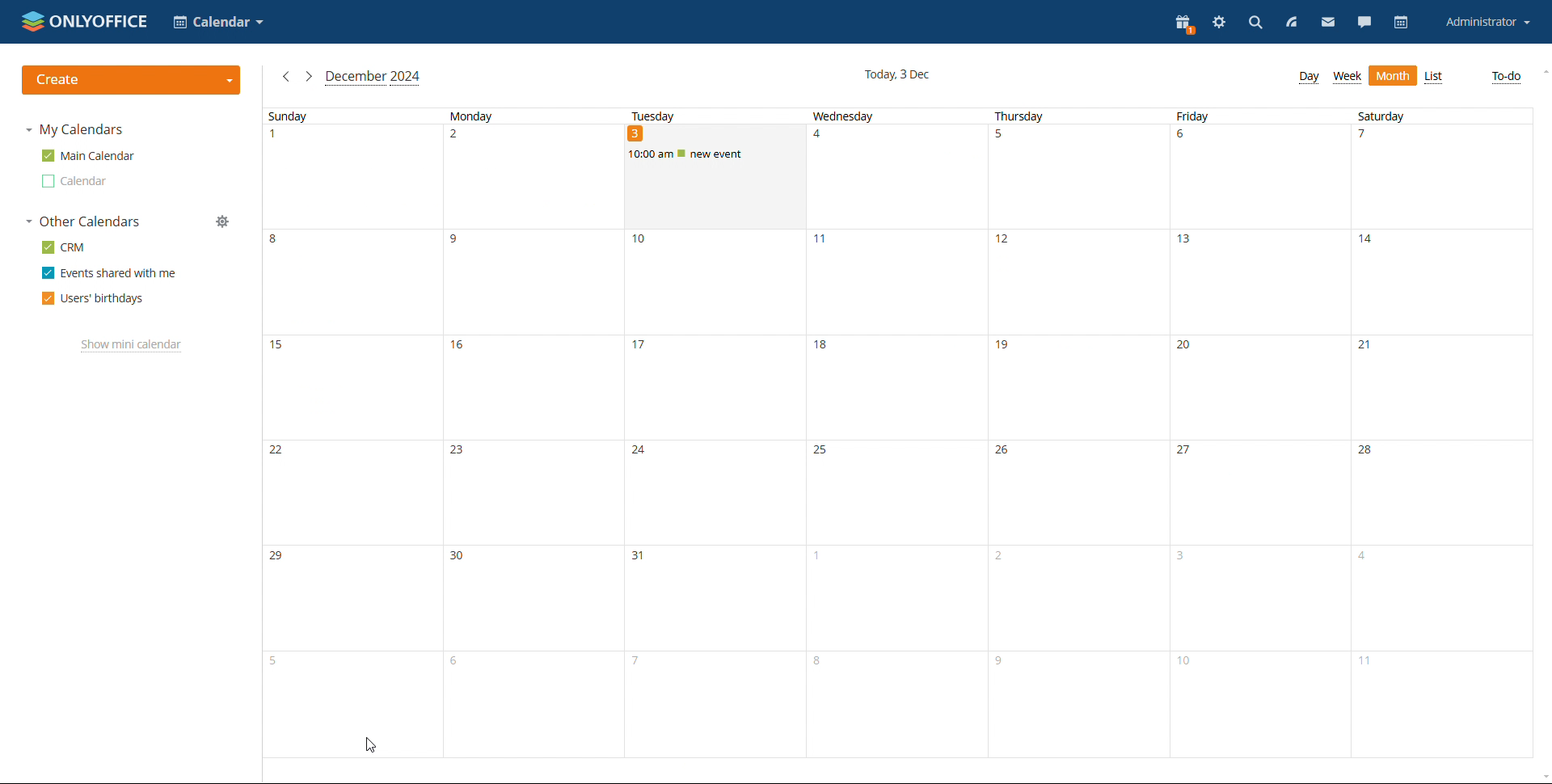  I want to click on 7, so click(1442, 176).